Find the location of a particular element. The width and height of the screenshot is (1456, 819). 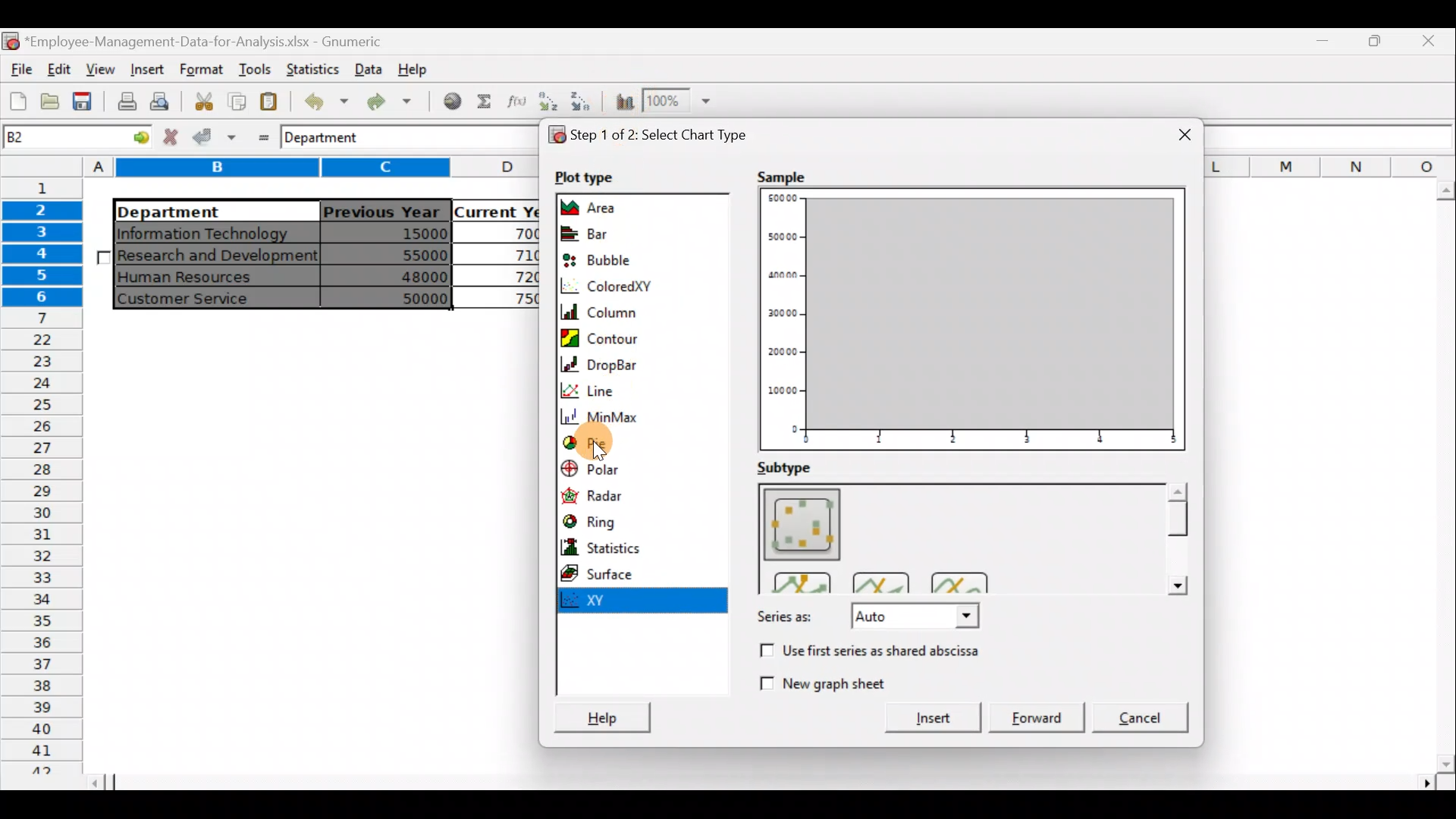

Surface is located at coordinates (610, 574).